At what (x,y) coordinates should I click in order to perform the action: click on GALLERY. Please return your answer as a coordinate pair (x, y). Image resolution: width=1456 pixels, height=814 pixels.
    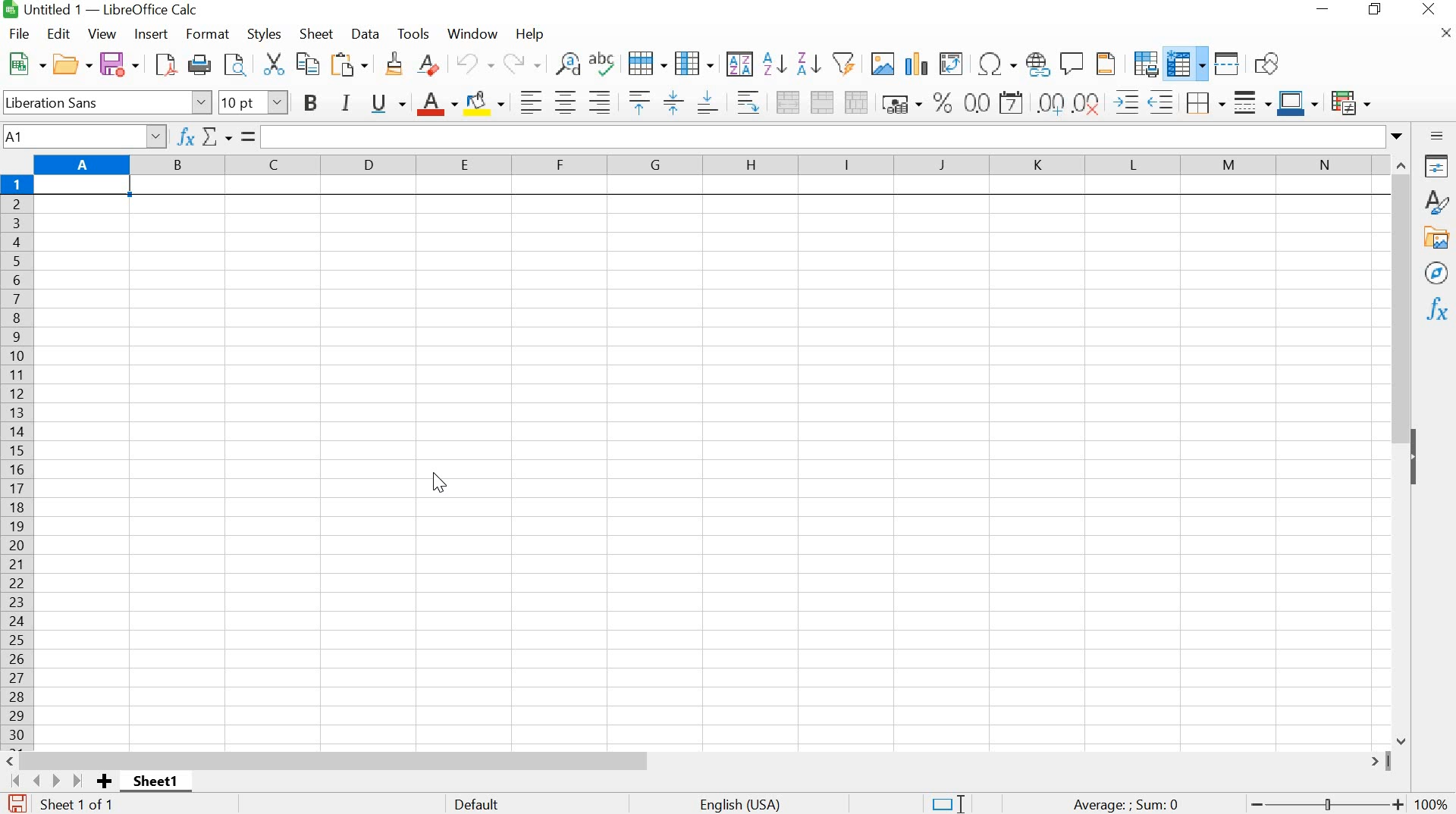
    Looking at the image, I should click on (1437, 238).